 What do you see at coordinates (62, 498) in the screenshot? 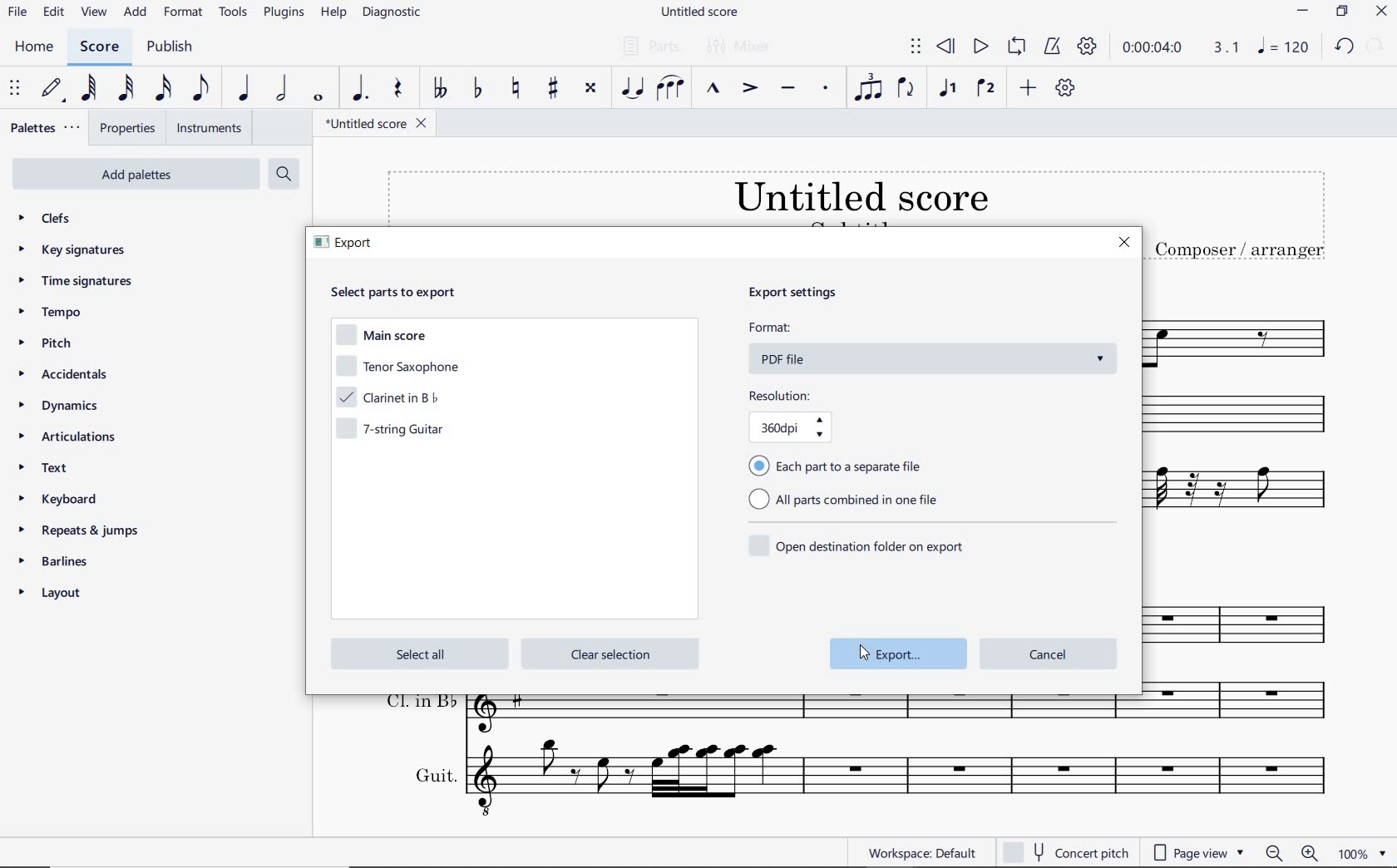
I see `keyboard` at bounding box center [62, 498].